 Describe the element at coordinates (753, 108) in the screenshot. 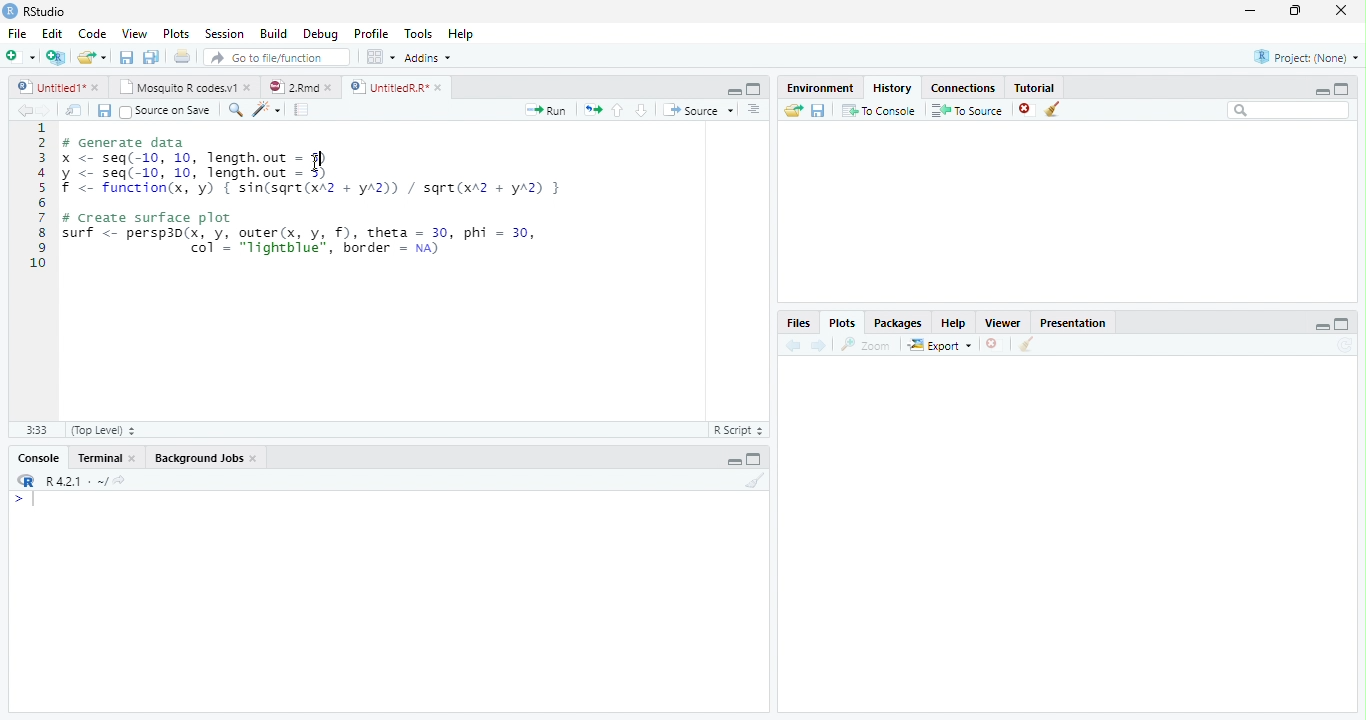

I see `Show document outline` at that location.